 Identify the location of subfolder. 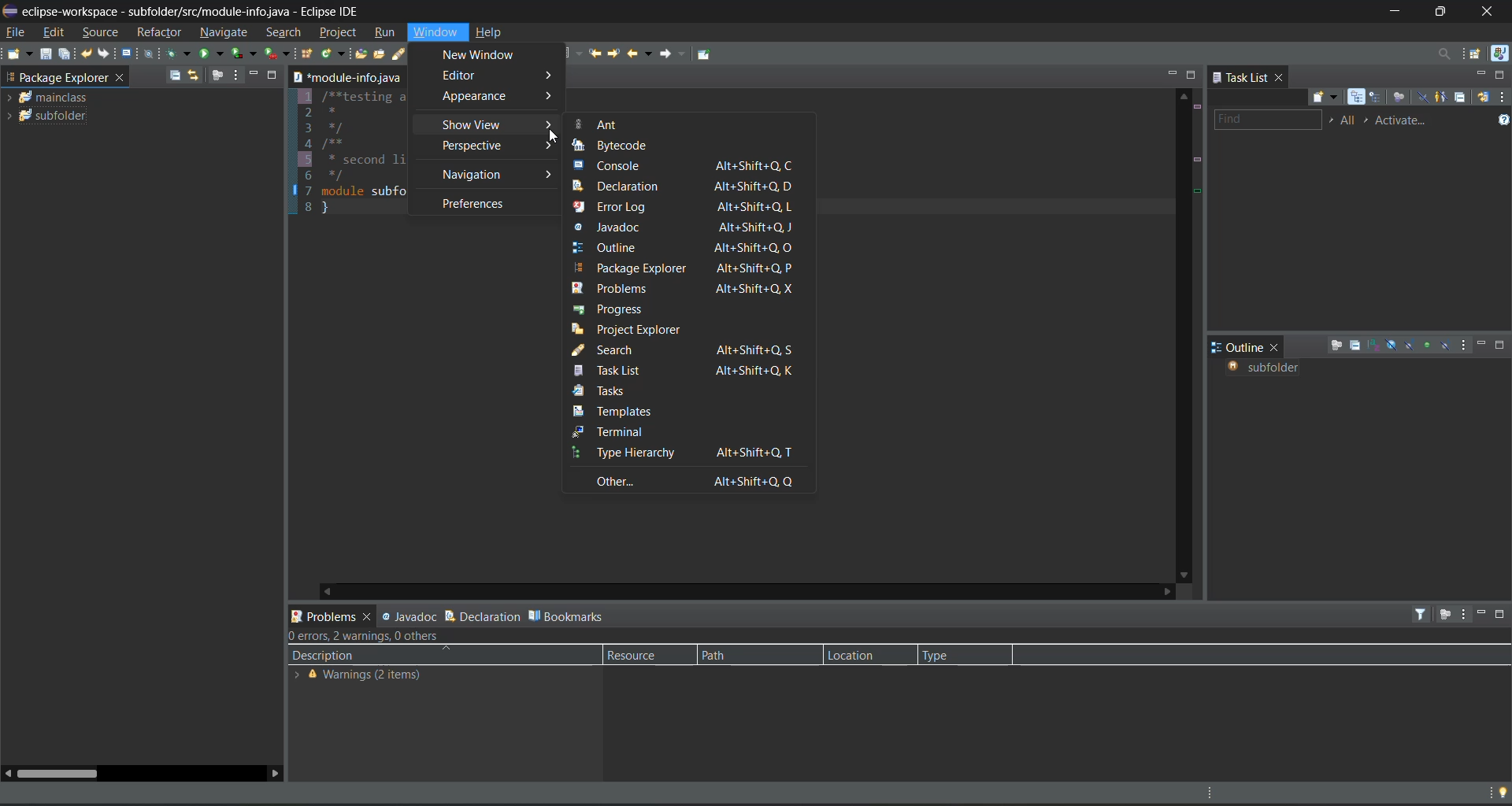
(1269, 368).